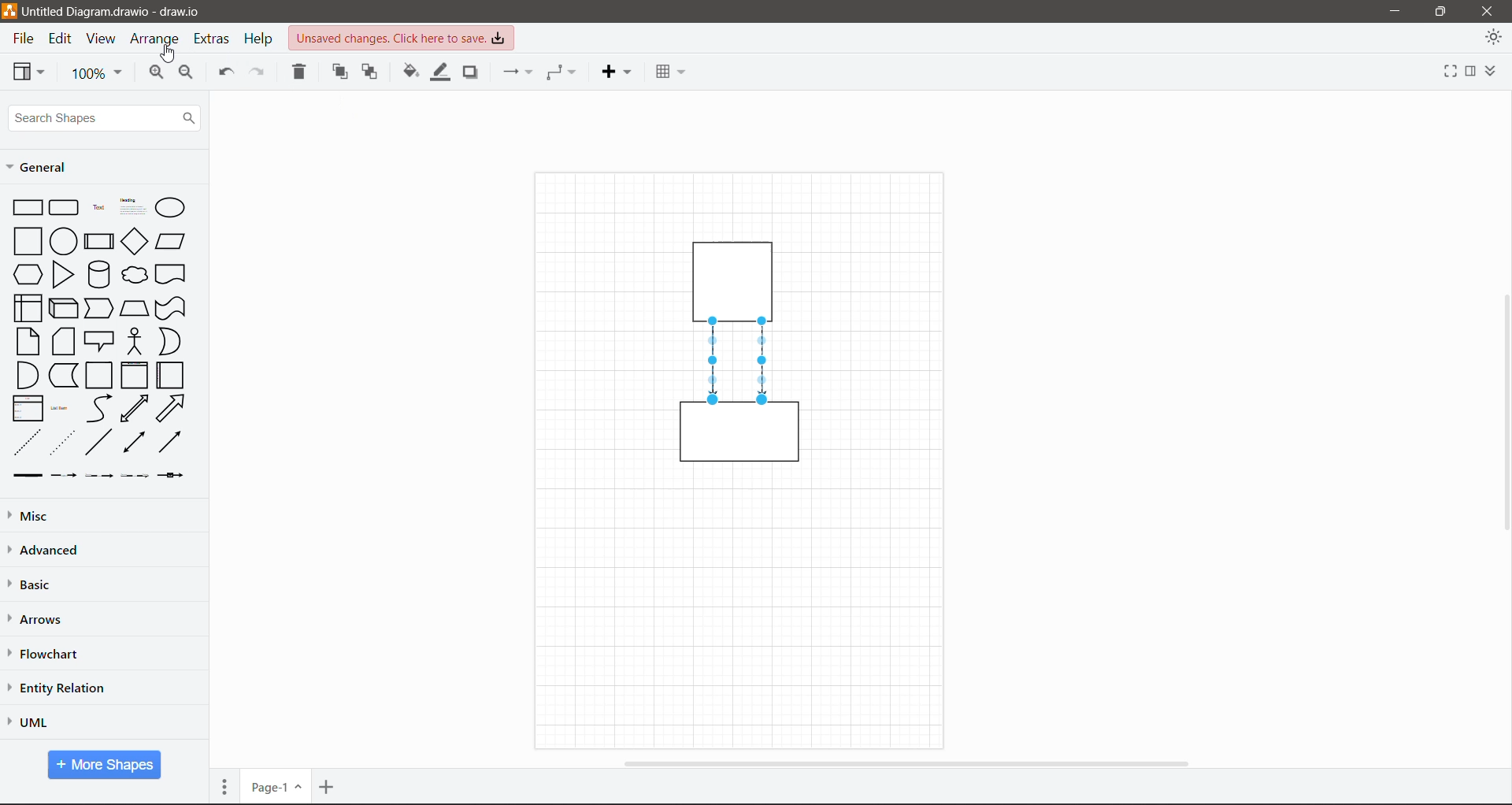  Describe the element at coordinates (410, 72) in the screenshot. I see `Fill Color` at that location.